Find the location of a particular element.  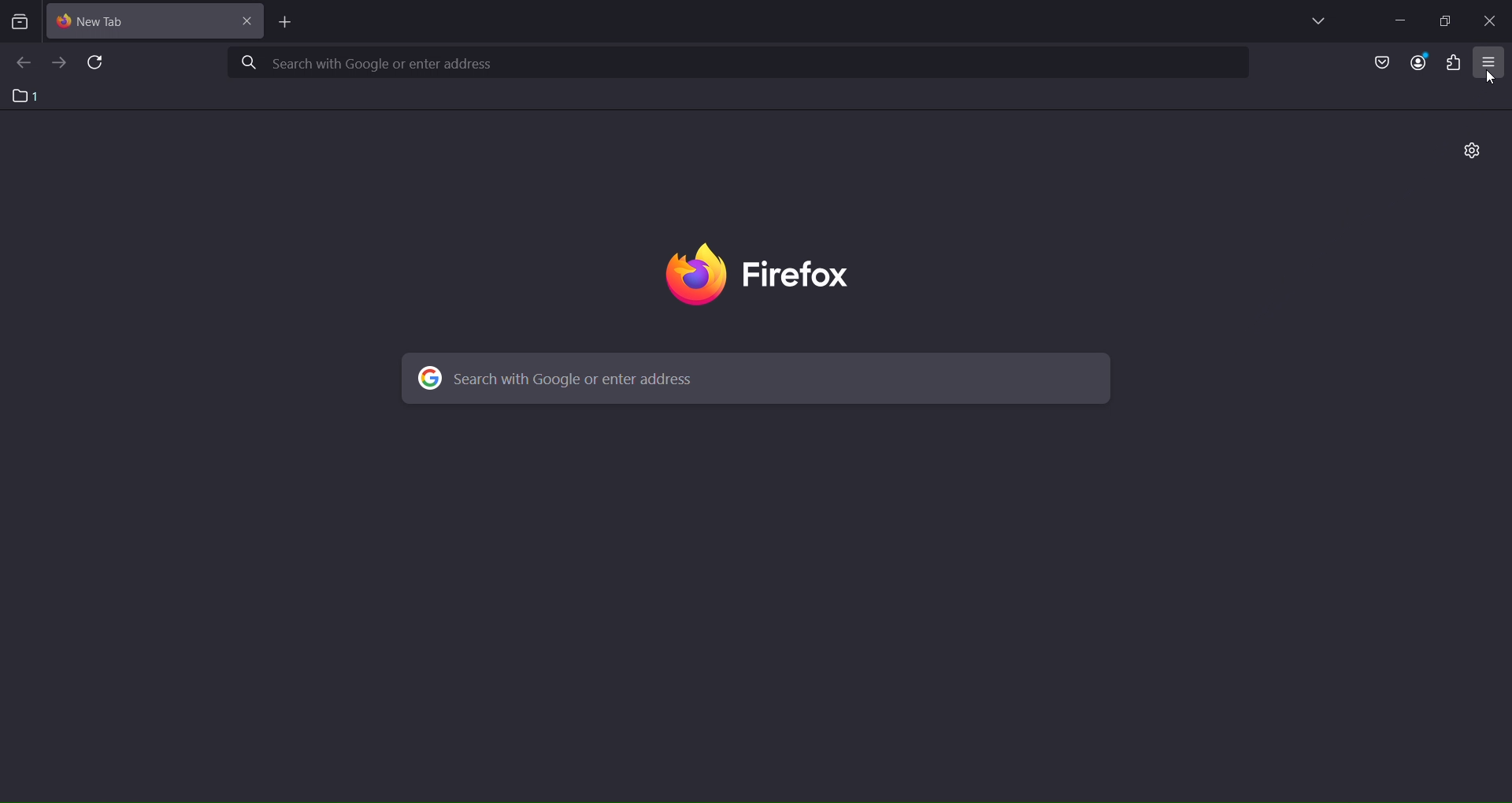

extensions is located at coordinates (1453, 65).